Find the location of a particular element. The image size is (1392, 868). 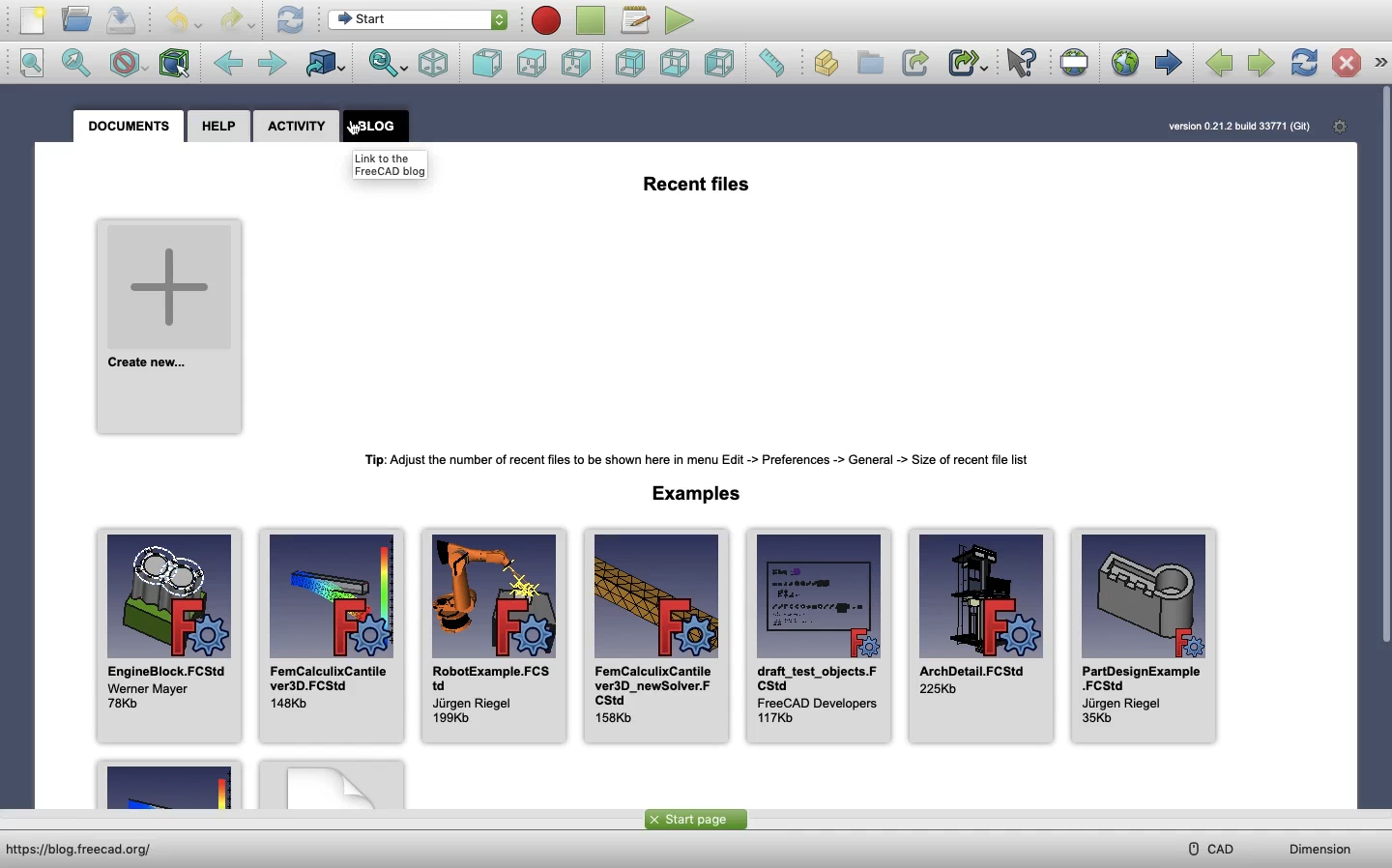

Refresh is located at coordinates (1303, 63).